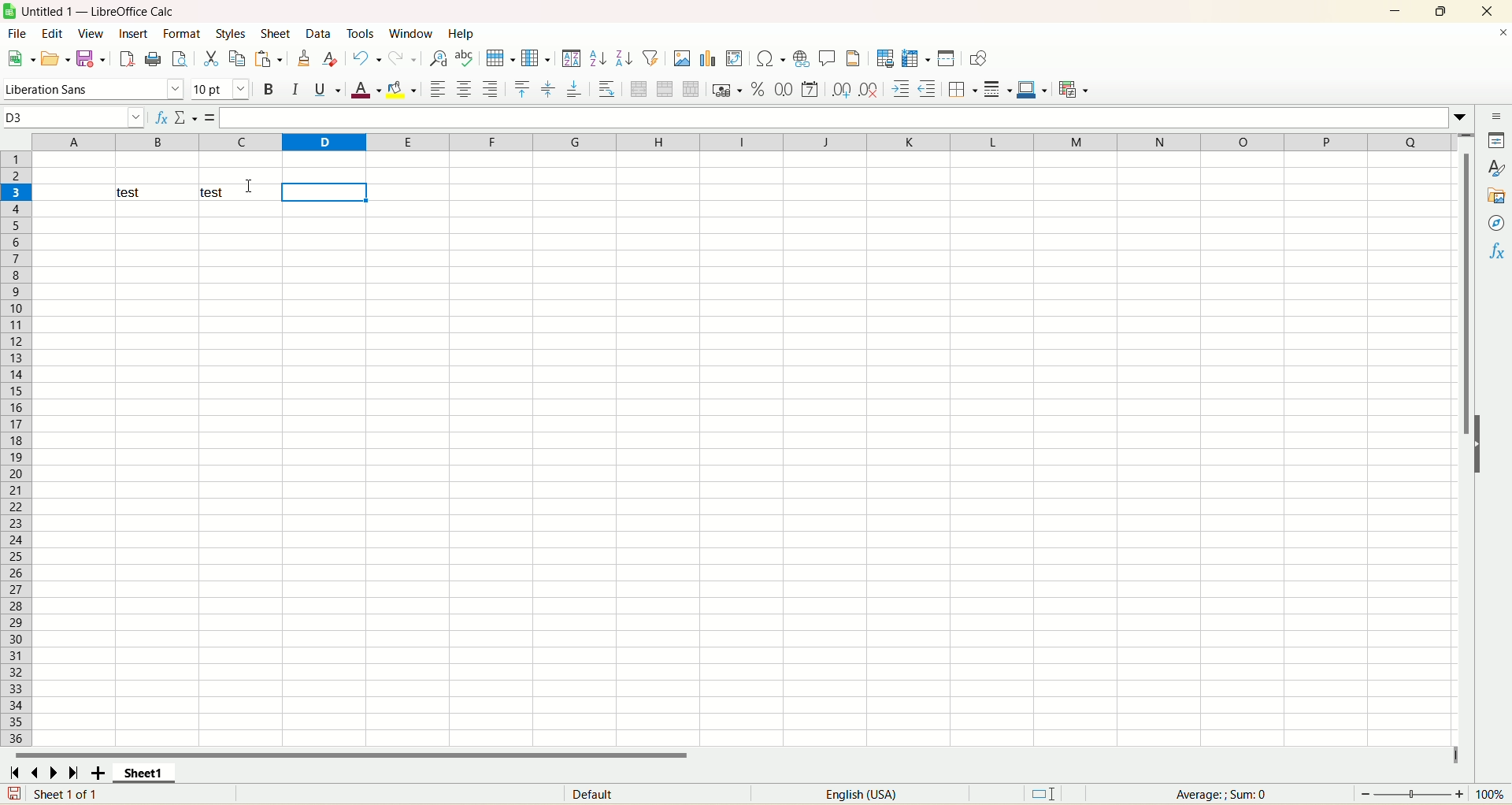 The width and height of the screenshot is (1512, 805). I want to click on Name box, so click(74, 118).